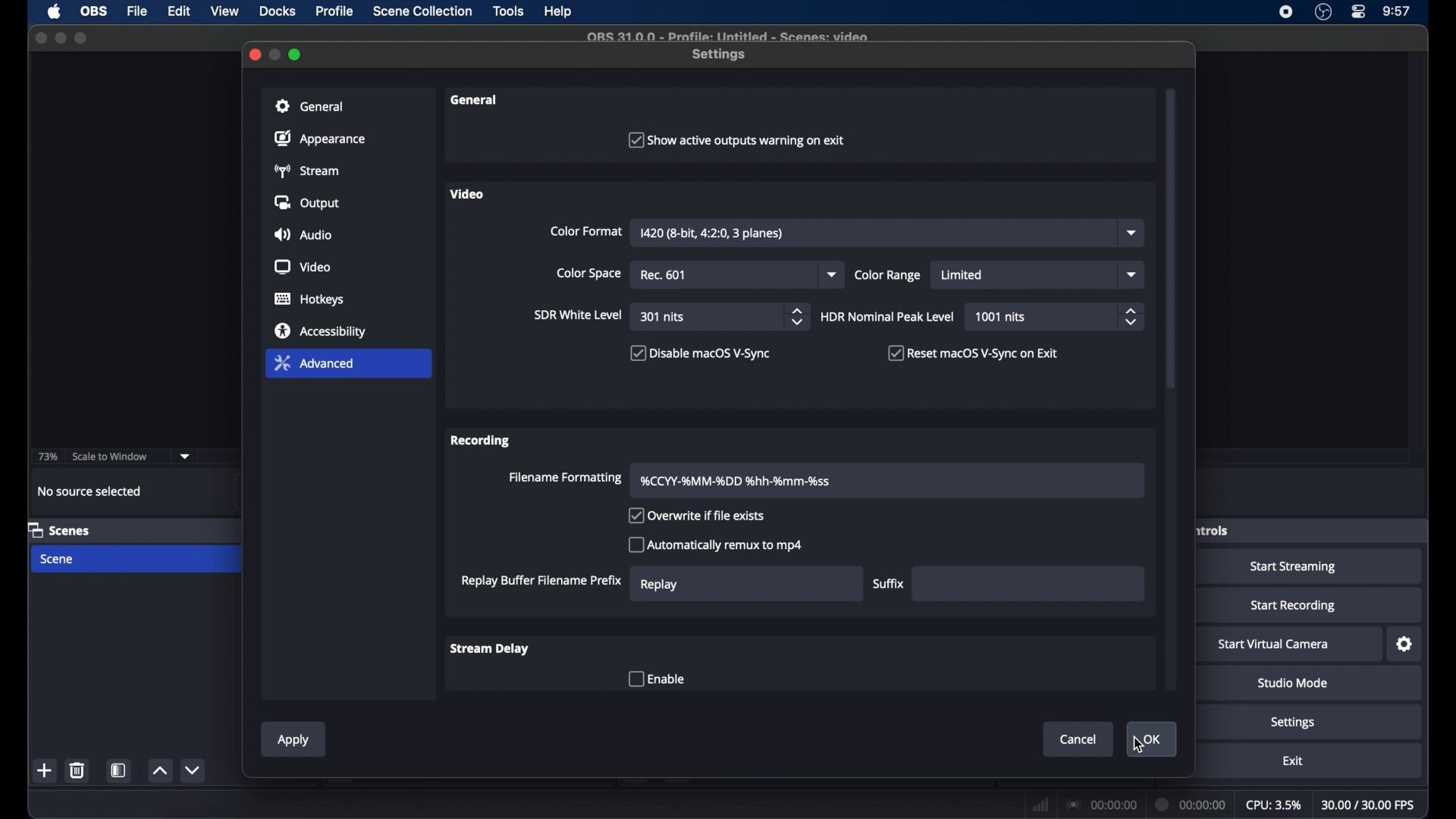  What do you see at coordinates (80, 770) in the screenshot?
I see `delete` at bounding box center [80, 770].